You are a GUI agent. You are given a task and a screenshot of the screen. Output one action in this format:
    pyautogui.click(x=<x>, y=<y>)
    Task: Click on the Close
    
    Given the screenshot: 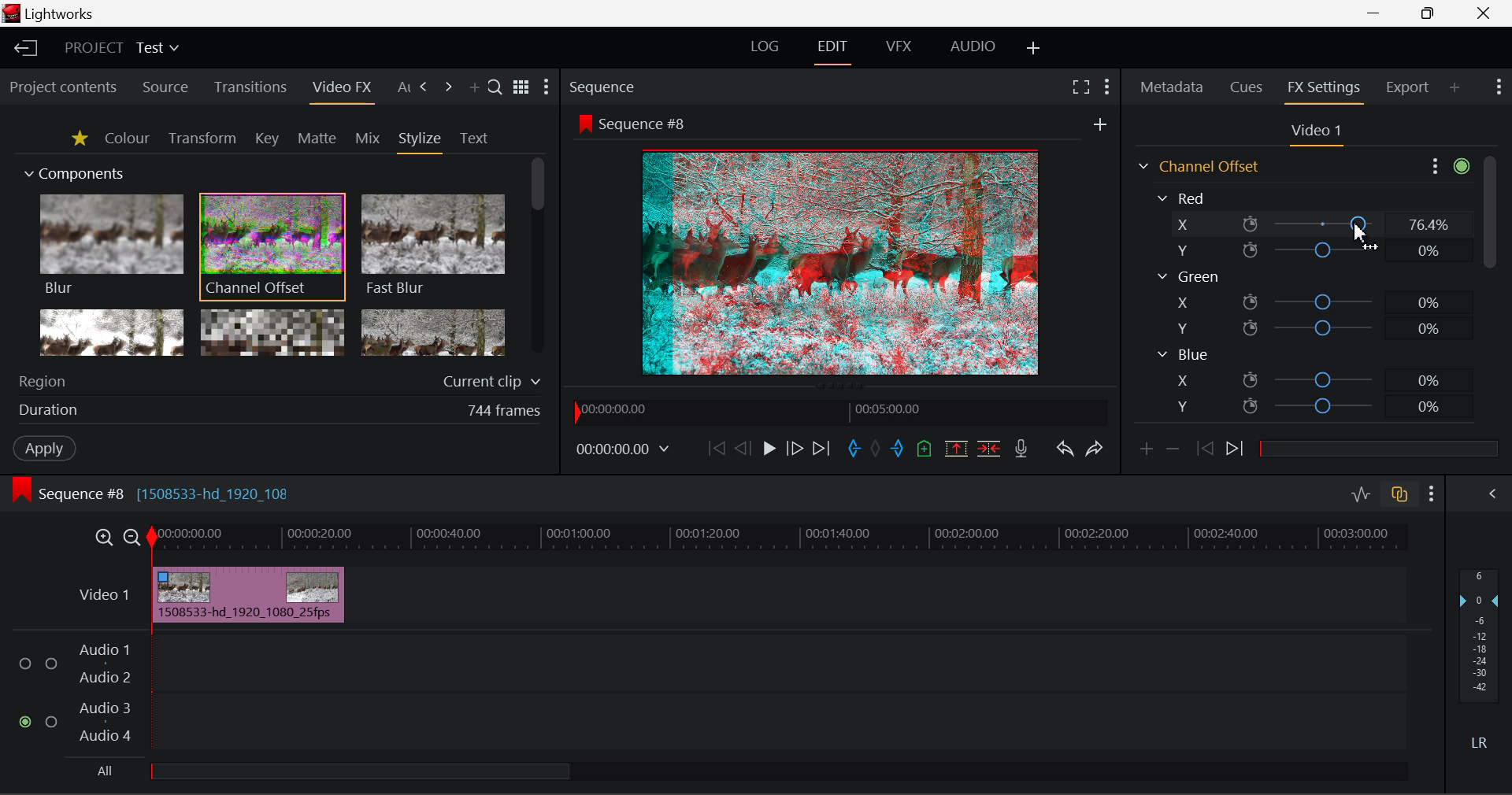 What is the action you would take?
    pyautogui.click(x=1483, y=14)
    